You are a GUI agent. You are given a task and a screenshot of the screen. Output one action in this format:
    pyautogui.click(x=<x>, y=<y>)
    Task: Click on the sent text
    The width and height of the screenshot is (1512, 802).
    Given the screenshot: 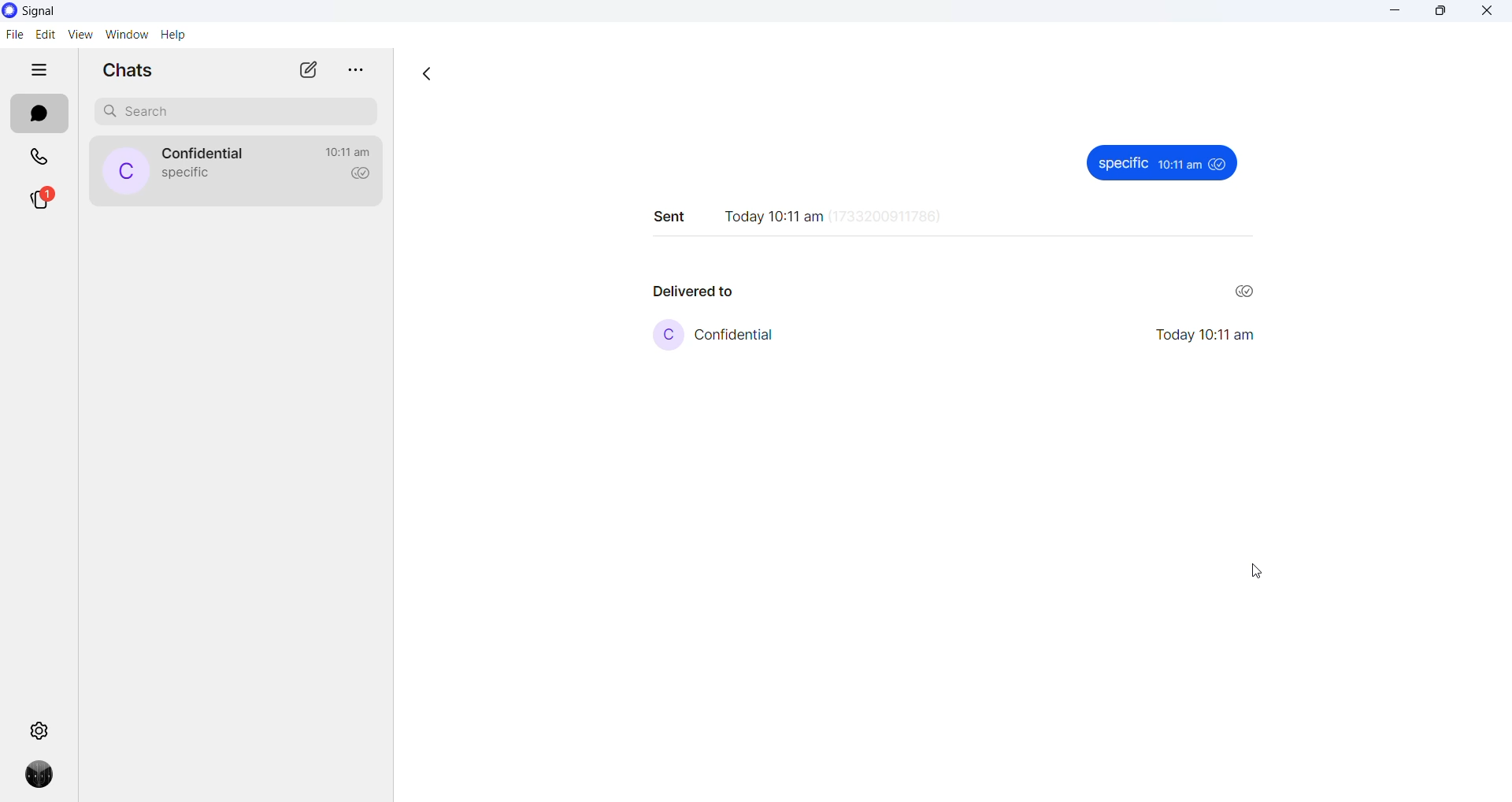 What is the action you would take?
    pyautogui.click(x=666, y=217)
    